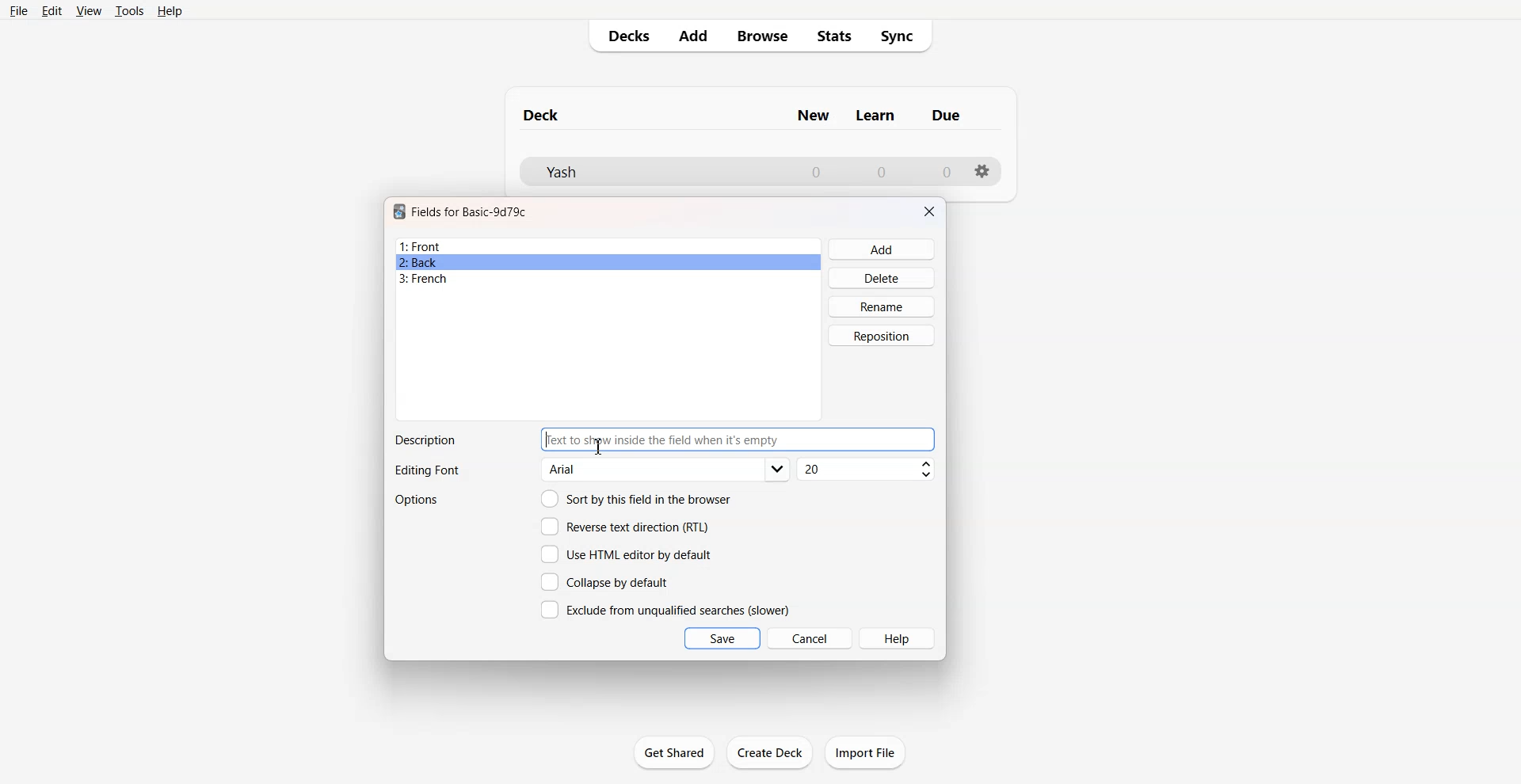  Describe the element at coordinates (867, 470) in the screenshot. I see `Font size` at that location.